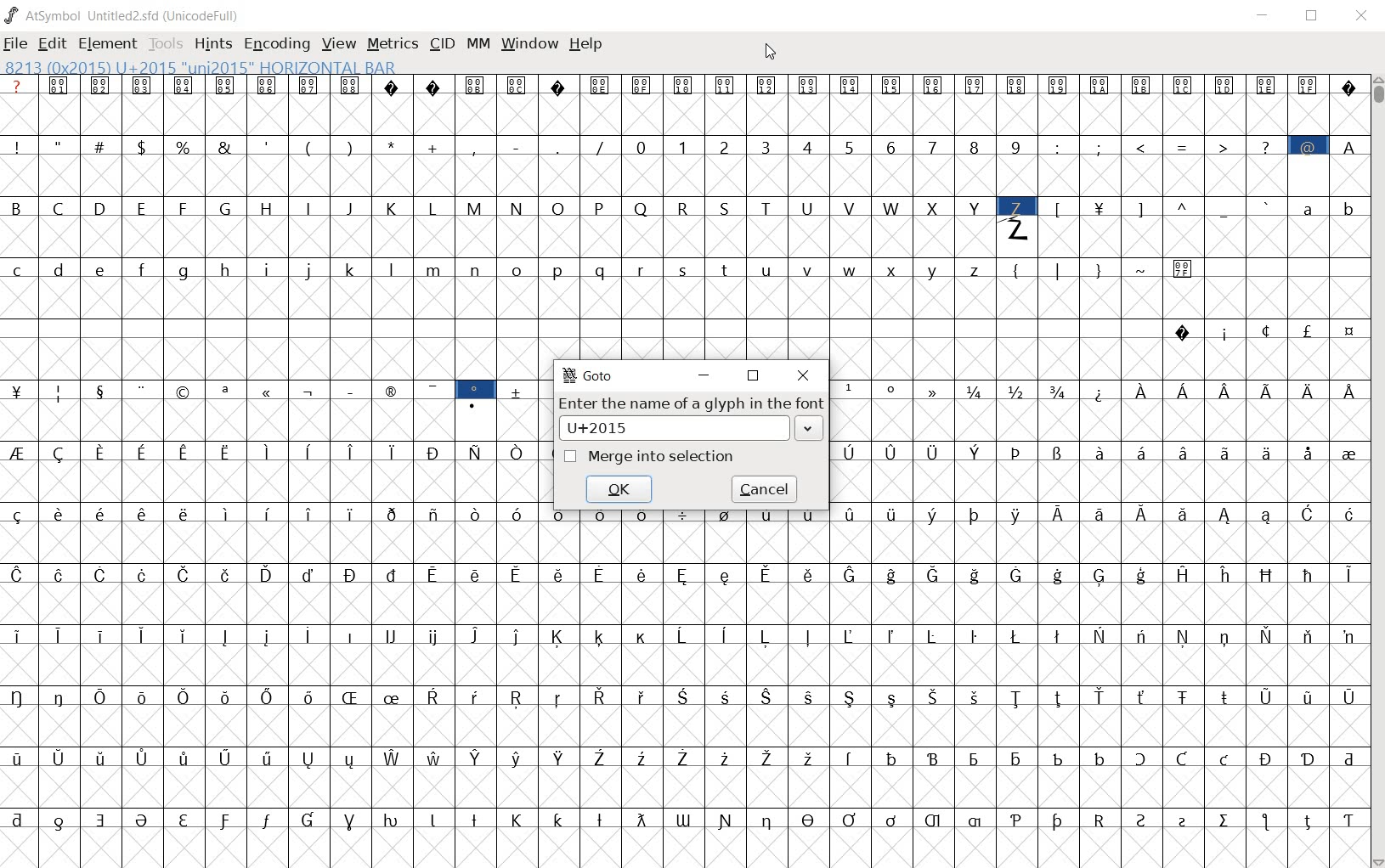  What do you see at coordinates (18, 42) in the screenshot?
I see `FILE` at bounding box center [18, 42].